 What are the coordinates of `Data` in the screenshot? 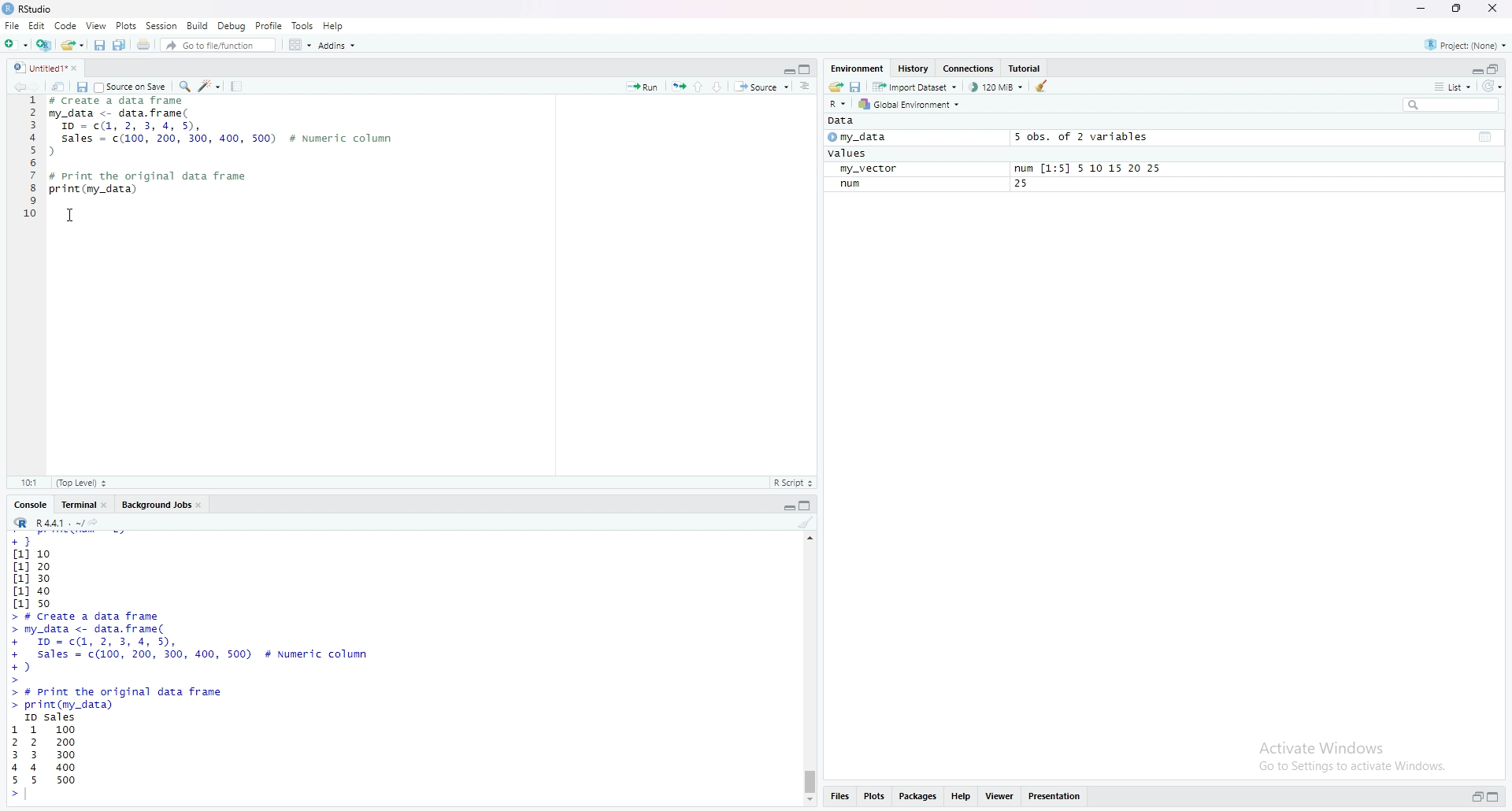 It's located at (843, 123).